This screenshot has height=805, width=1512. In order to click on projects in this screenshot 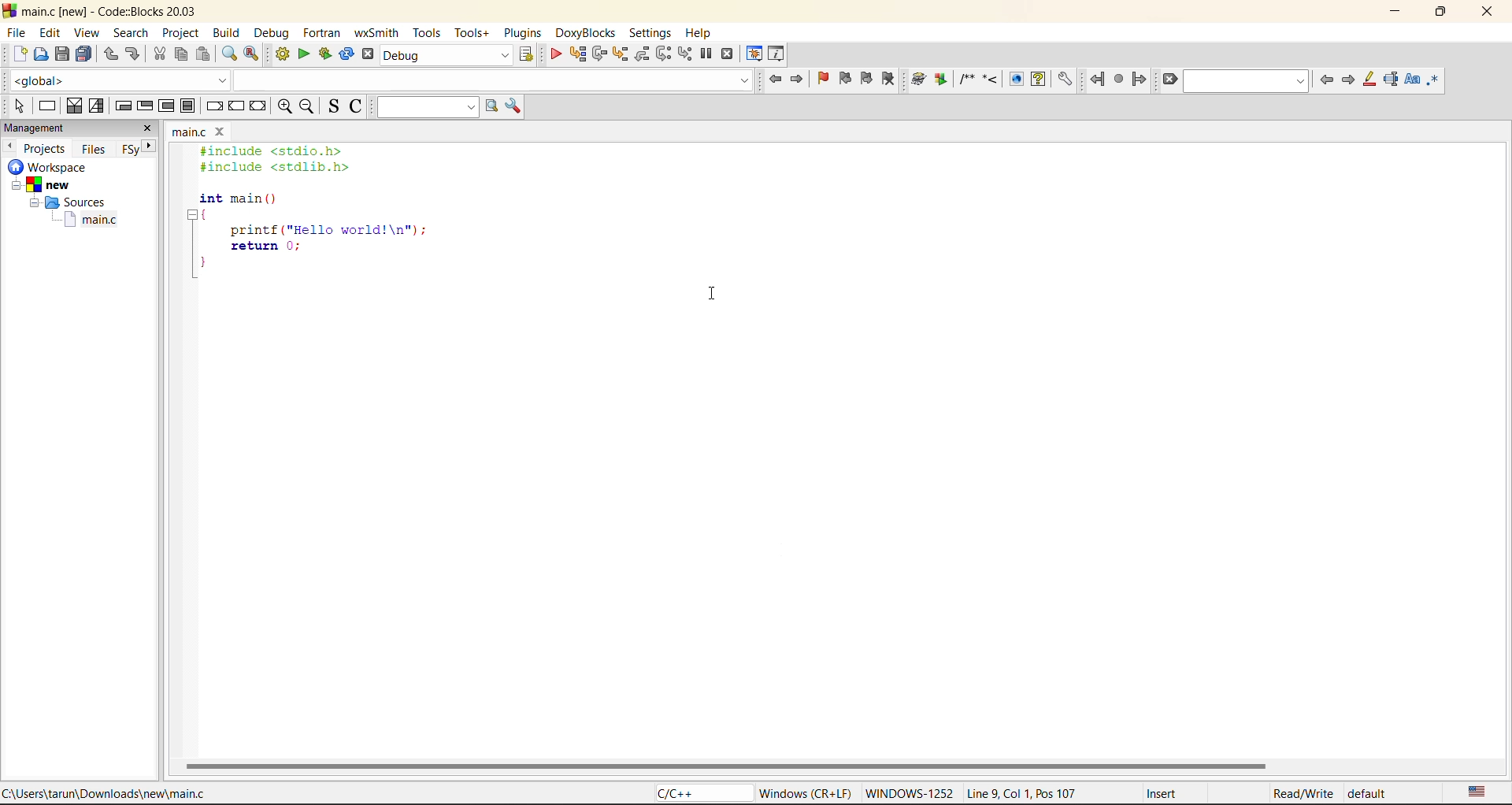, I will do `click(47, 148)`.